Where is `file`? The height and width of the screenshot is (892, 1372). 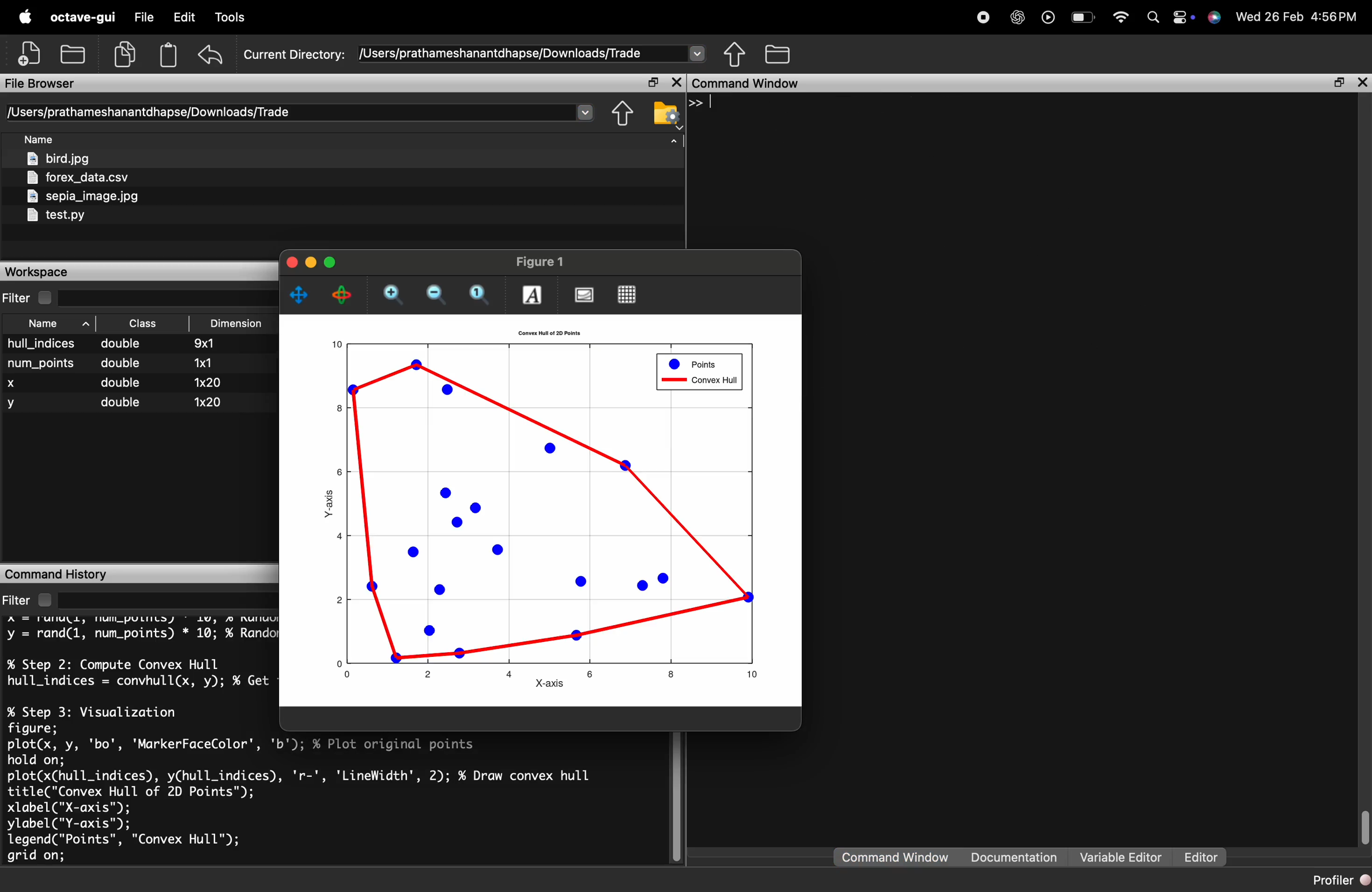 file is located at coordinates (144, 17).